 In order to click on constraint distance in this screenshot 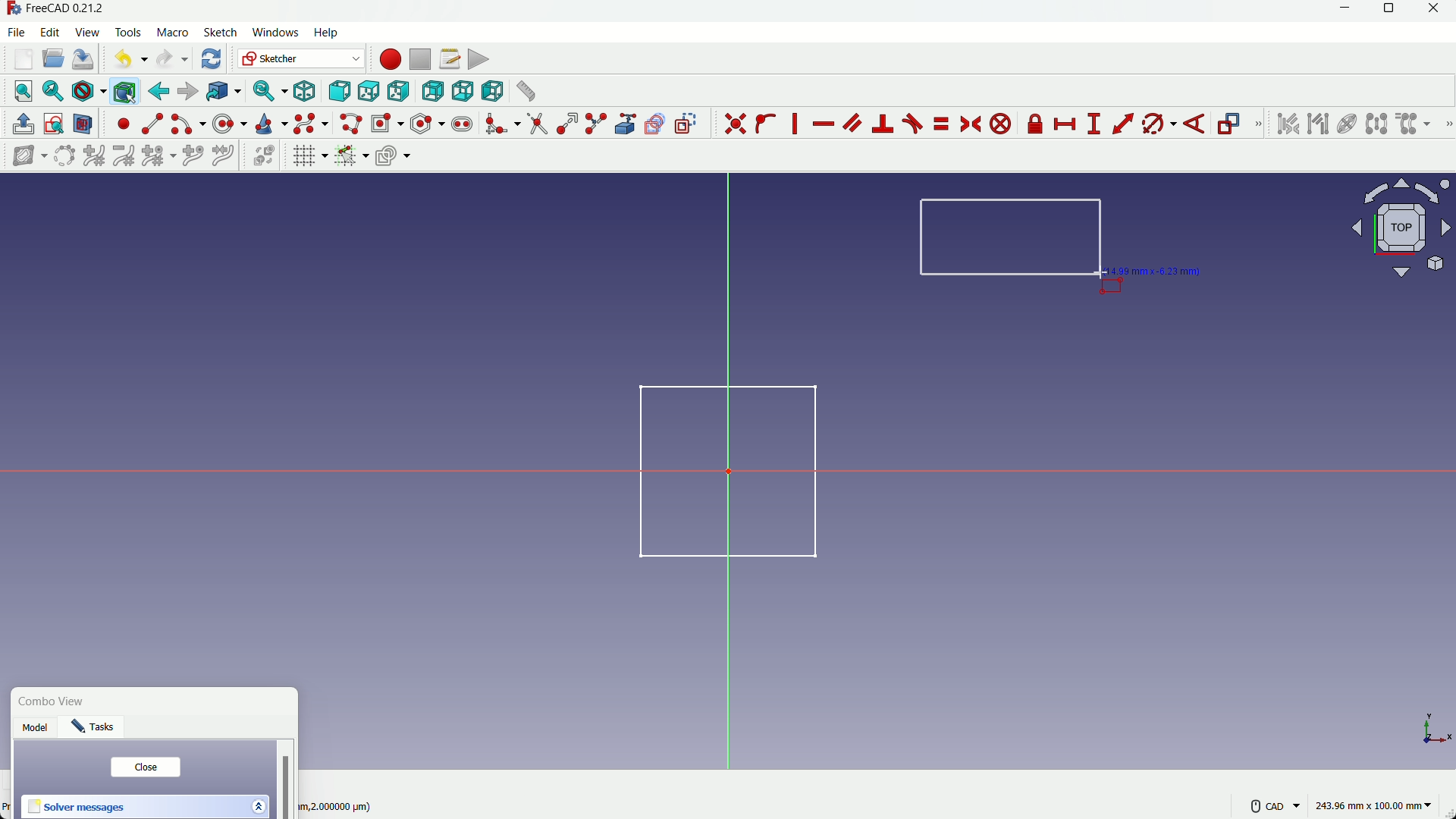, I will do `click(1123, 124)`.